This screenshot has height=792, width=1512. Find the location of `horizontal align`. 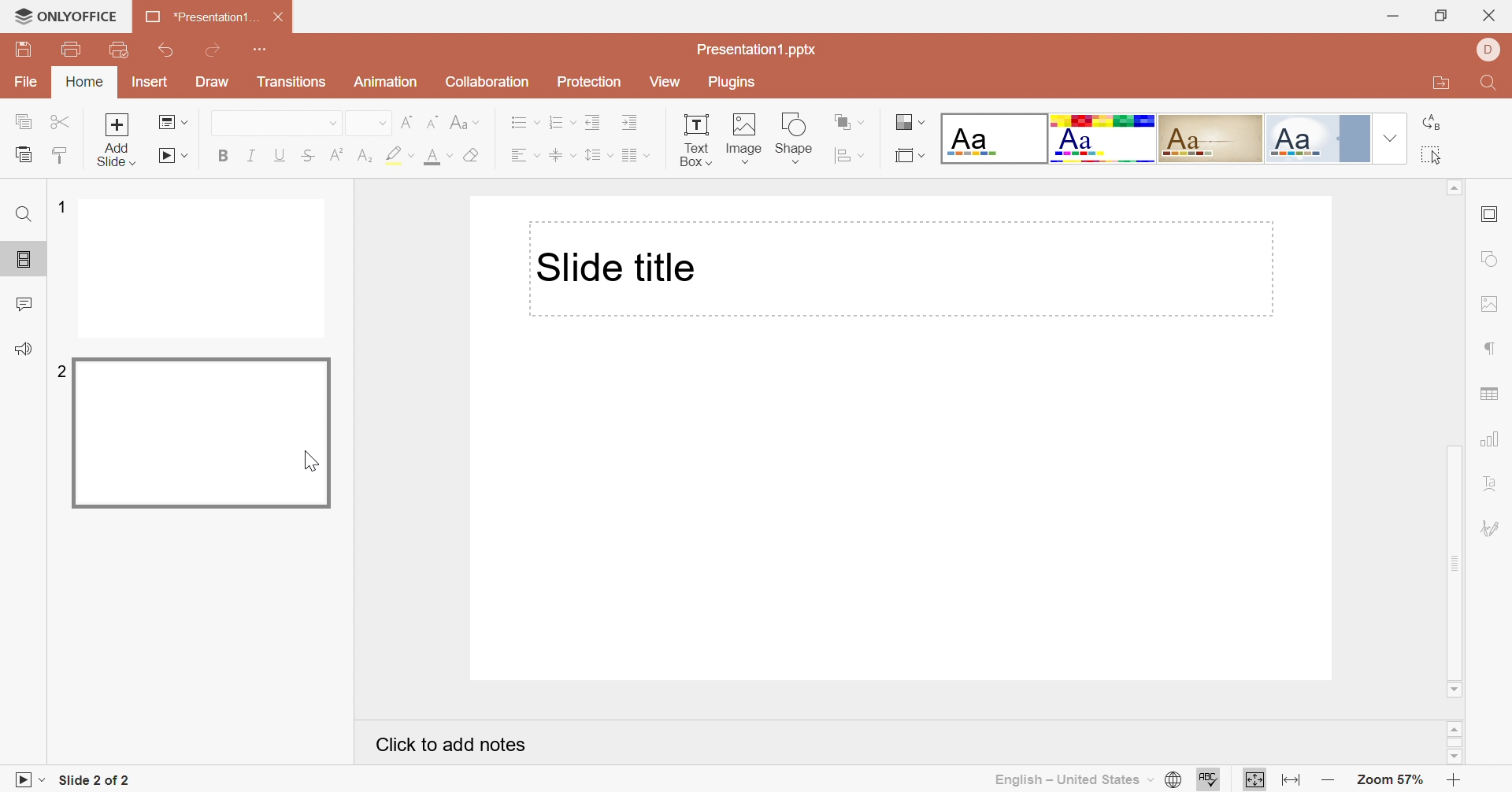

horizontal align is located at coordinates (523, 154).